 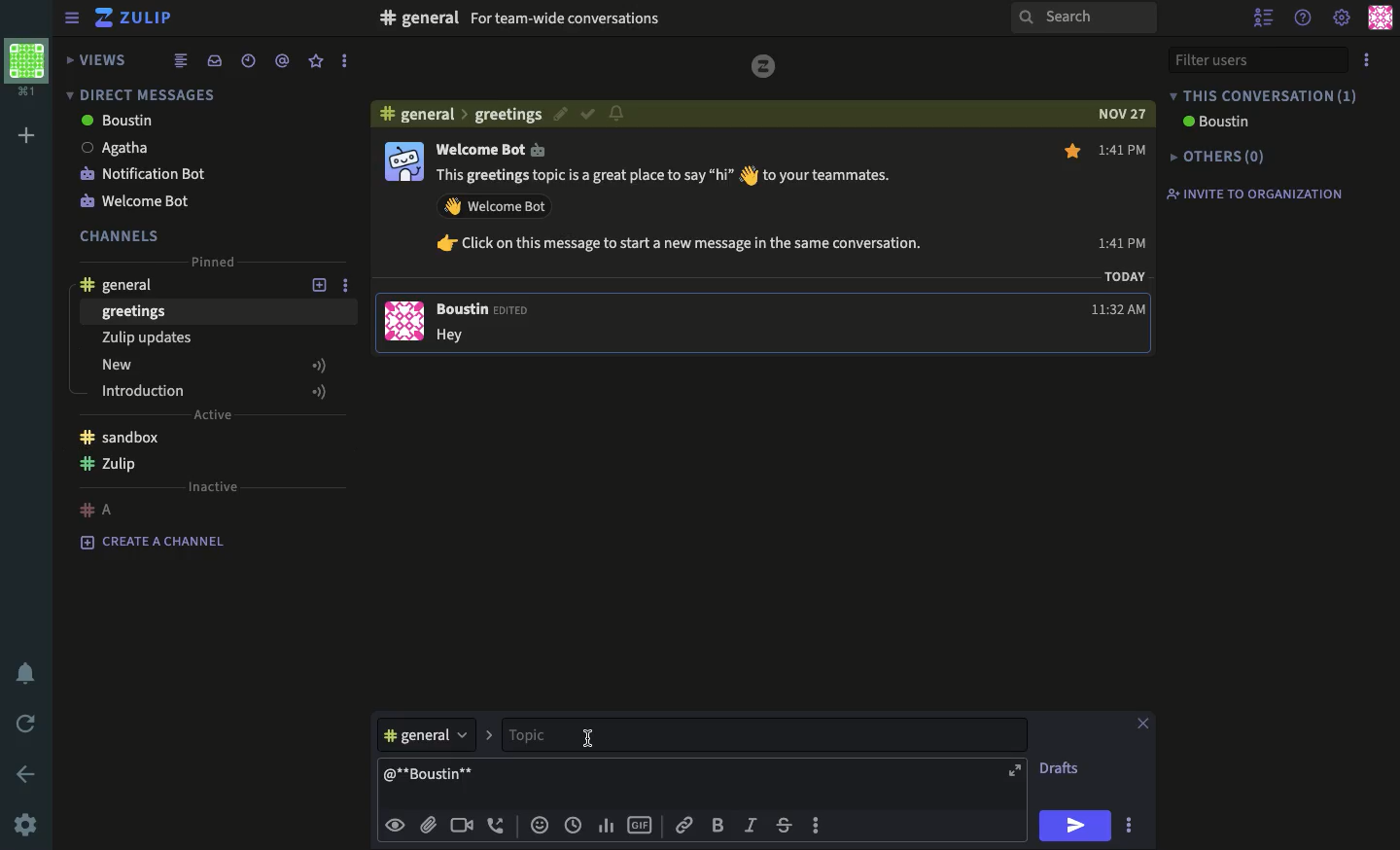 I want to click on user profile, so click(x=402, y=238).